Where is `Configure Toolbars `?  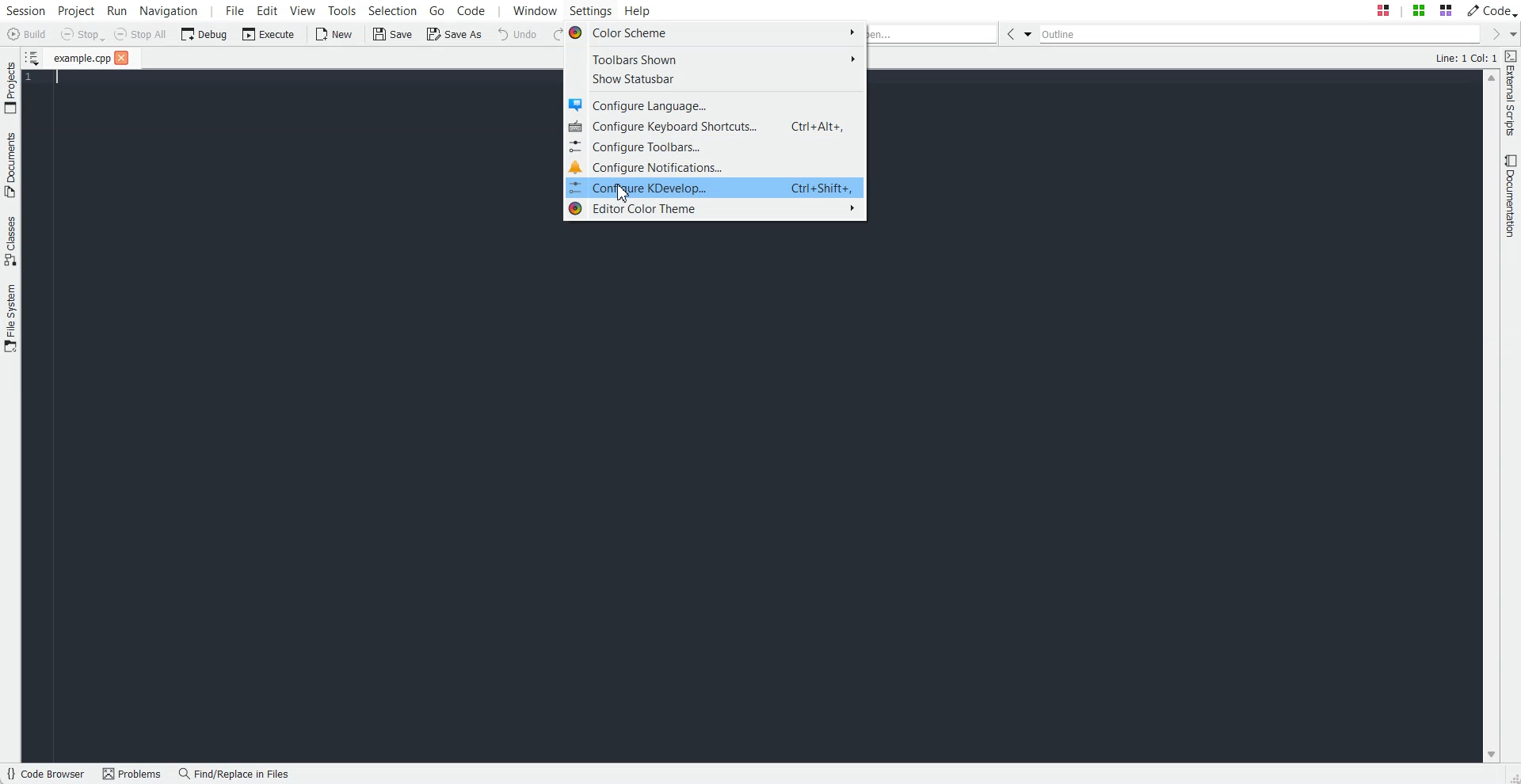
Configure Toolbars  is located at coordinates (715, 146).